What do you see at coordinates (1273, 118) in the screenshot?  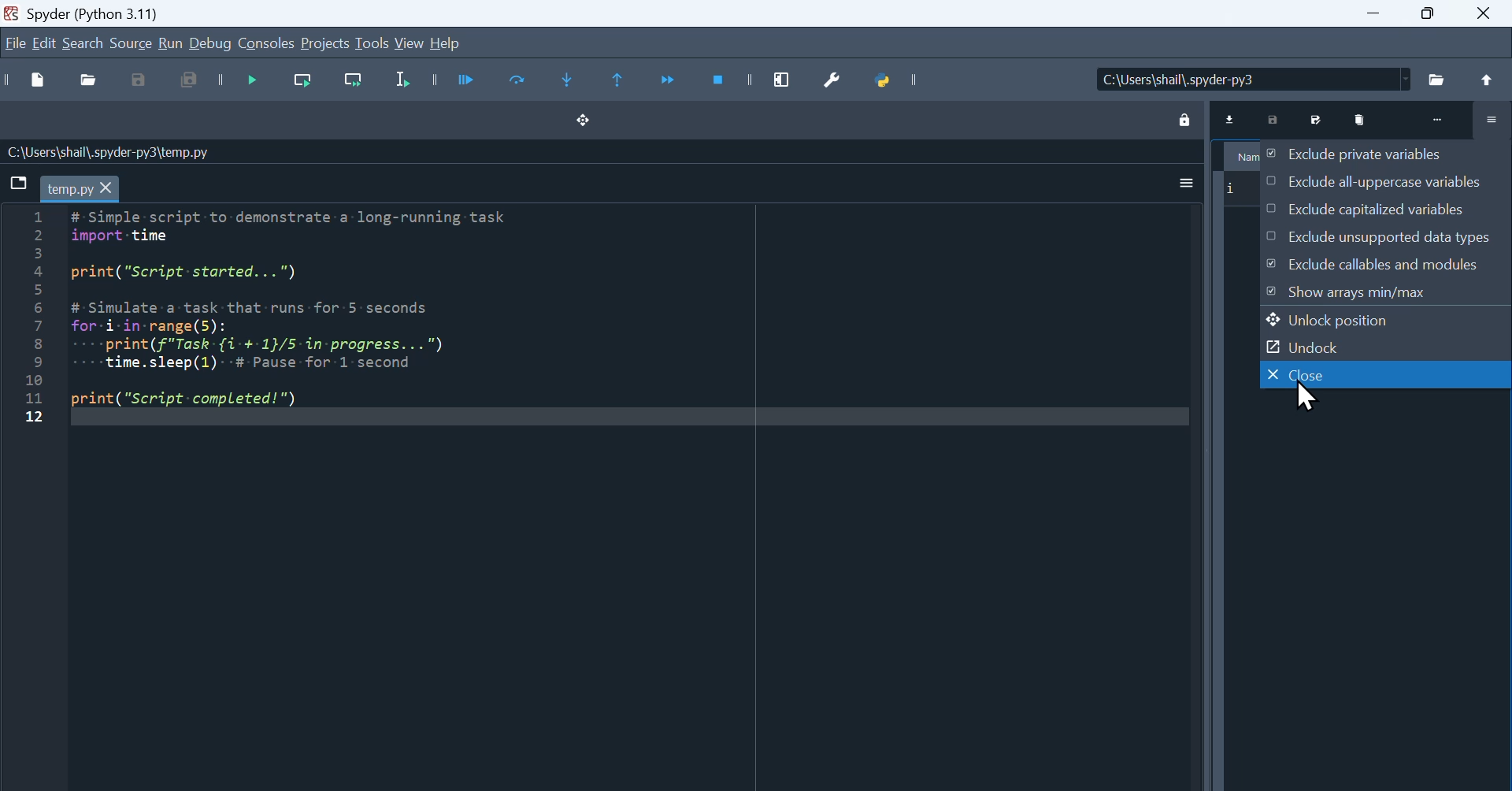 I see `Save data` at bounding box center [1273, 118].